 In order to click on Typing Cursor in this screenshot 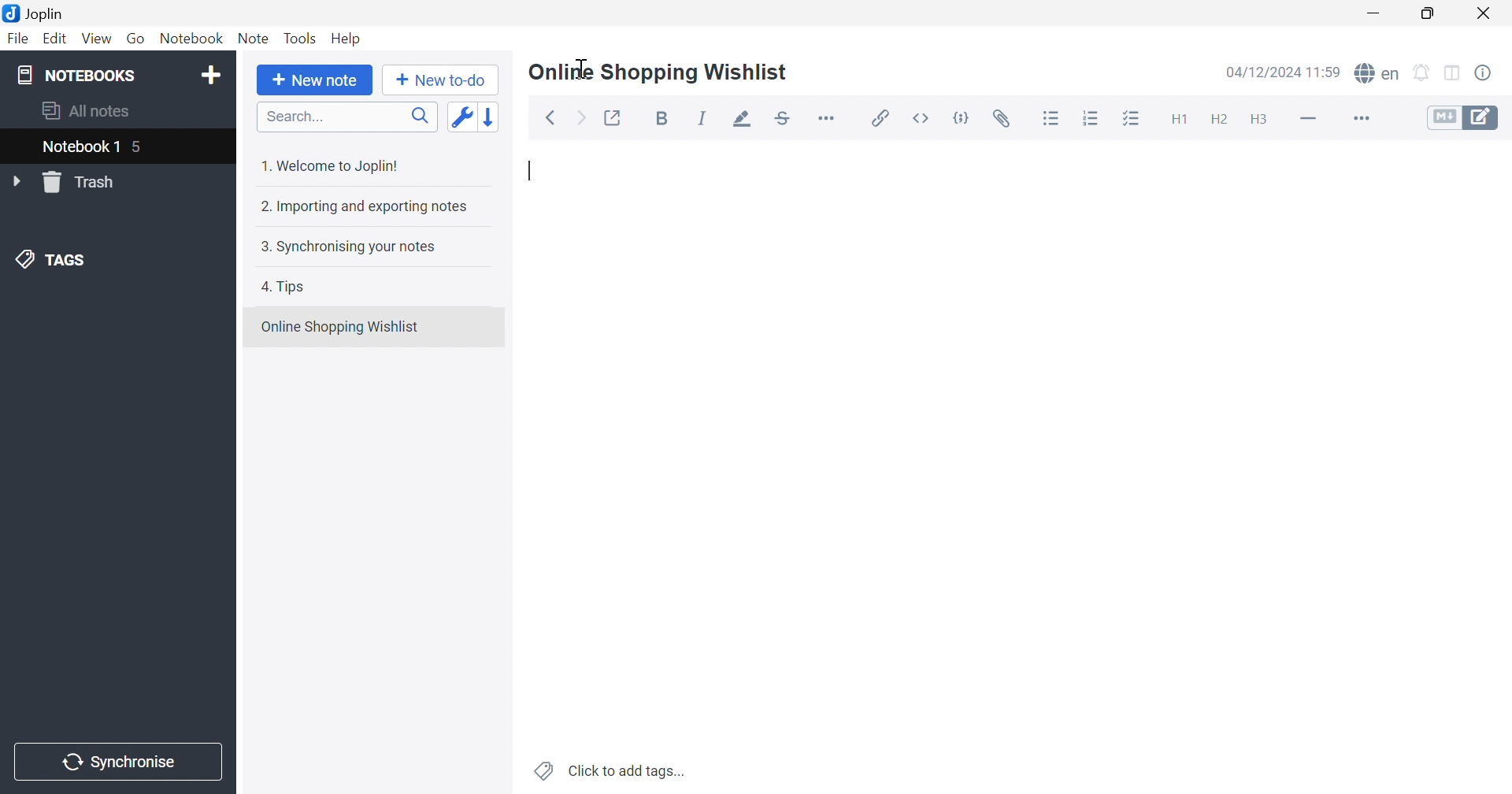, I will do `click(531, 171)`.